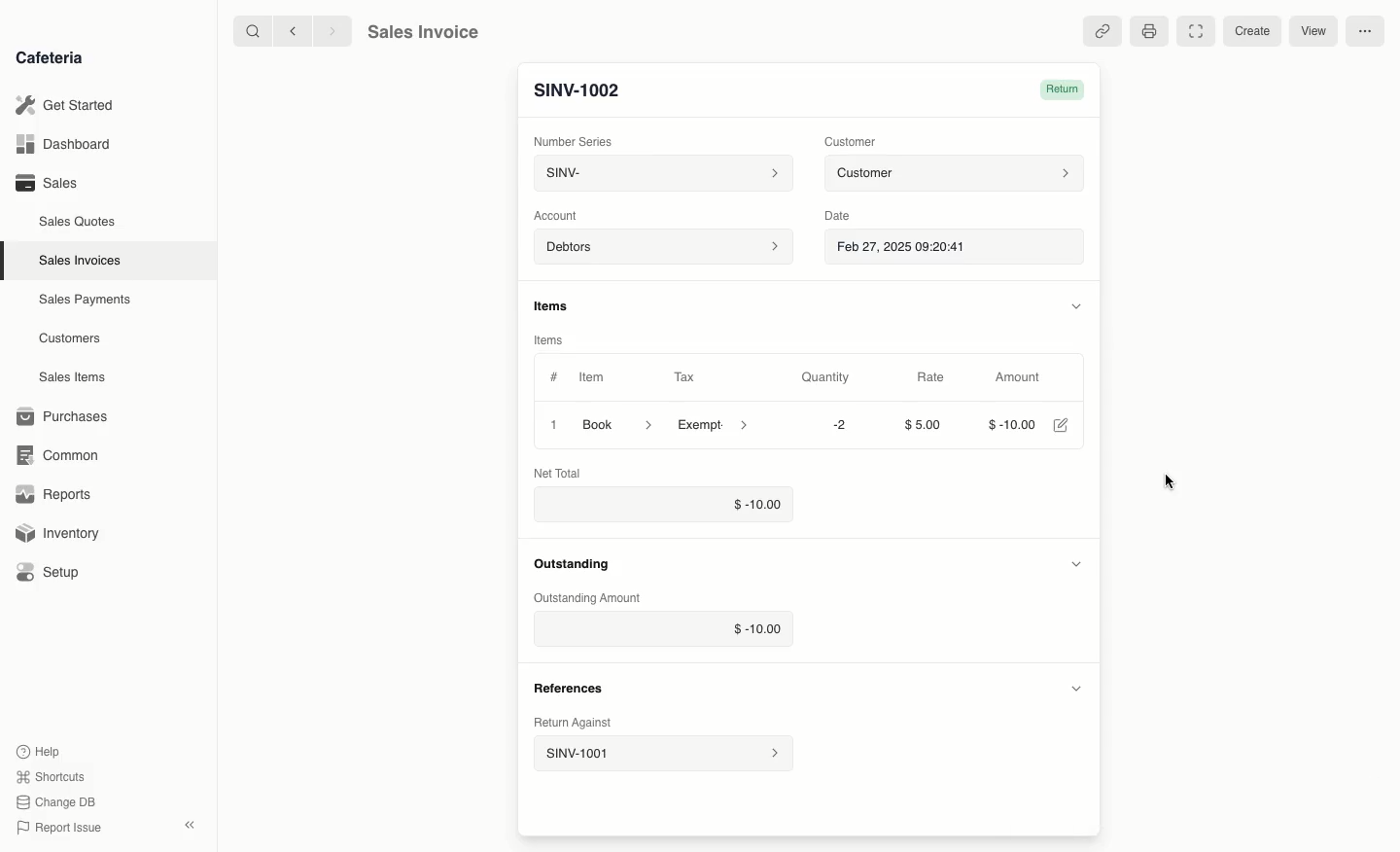 The height and width of the screenshot is (852, 1400). I want to click on $-10.00, so click(665, 629).